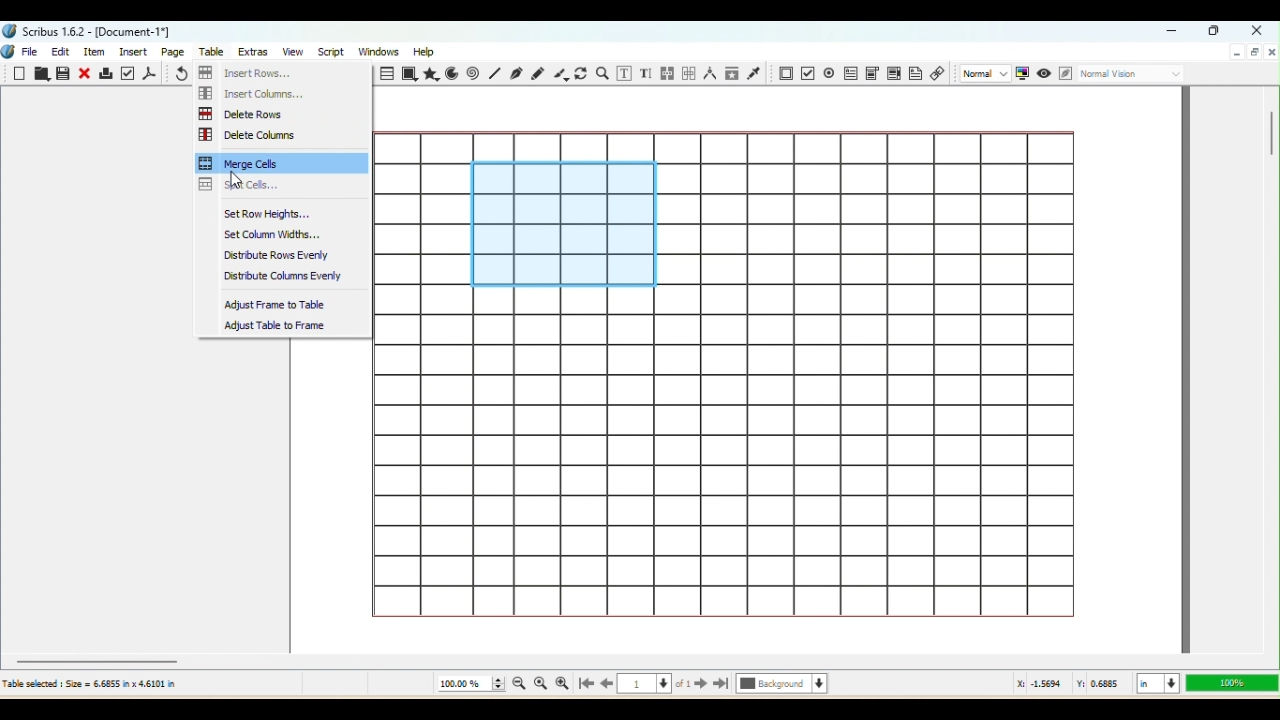  I want to click on Table, so click(385, 74).